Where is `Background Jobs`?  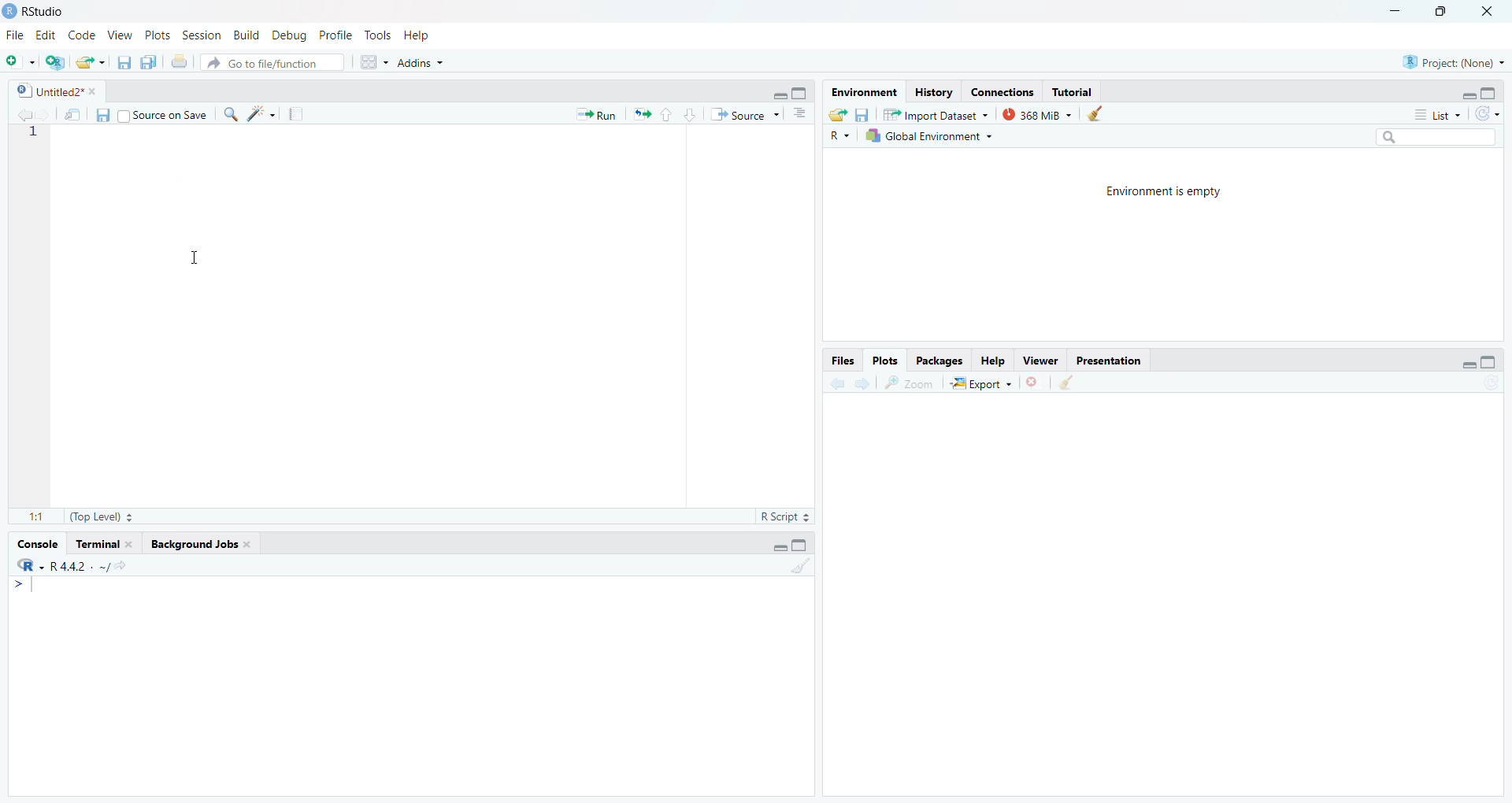 Background Jobs is located at coordinates (201, 545).